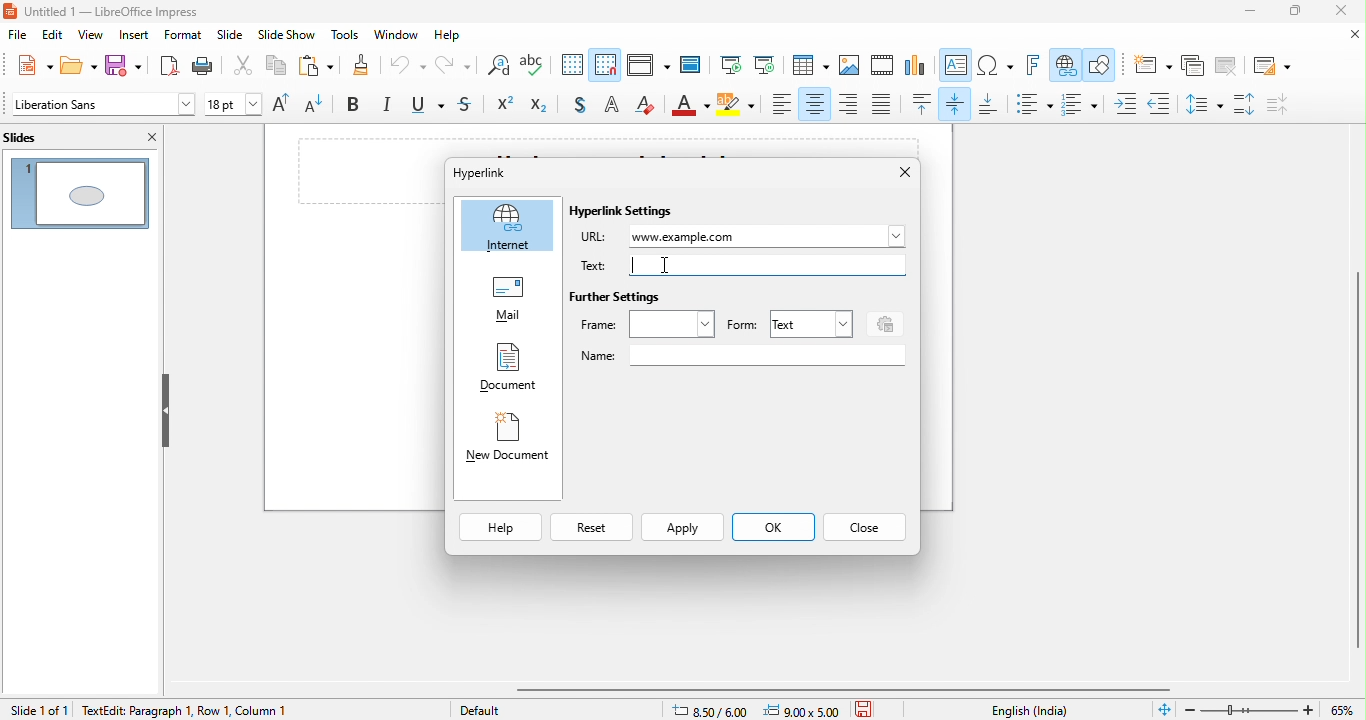  I want to click on edit, so click(54, 36).